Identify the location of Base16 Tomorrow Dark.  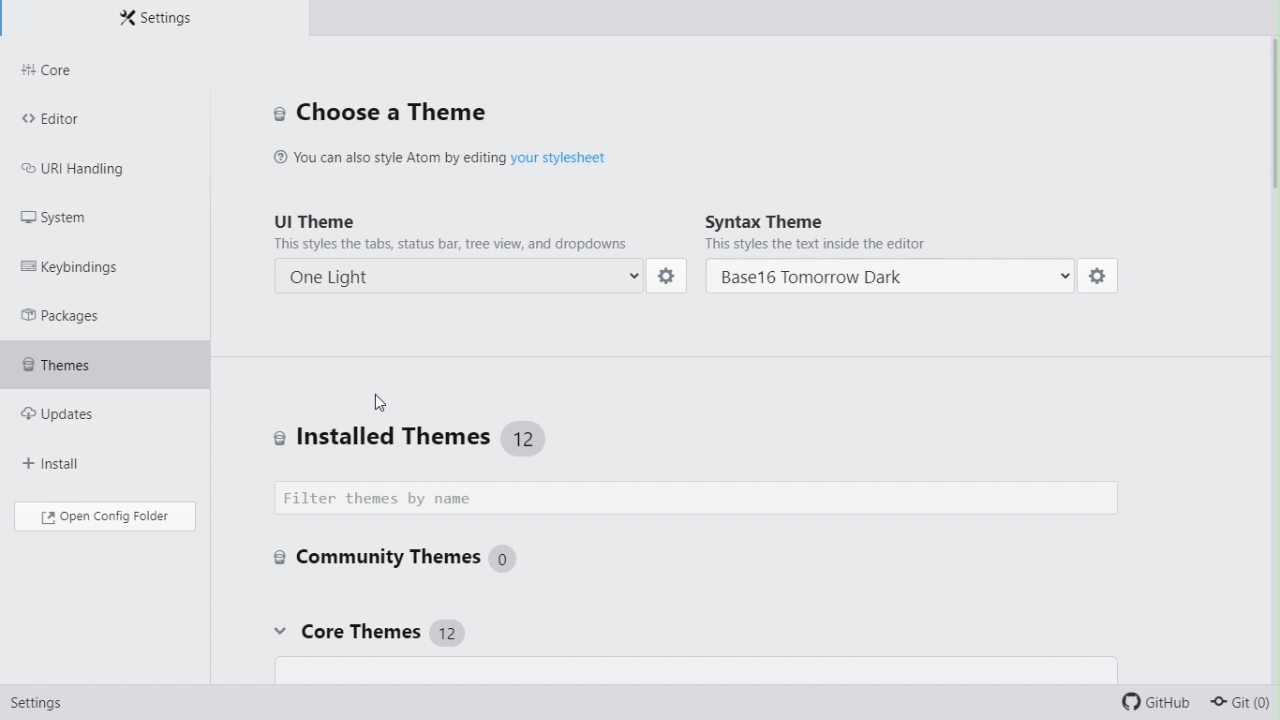
(895, 272).